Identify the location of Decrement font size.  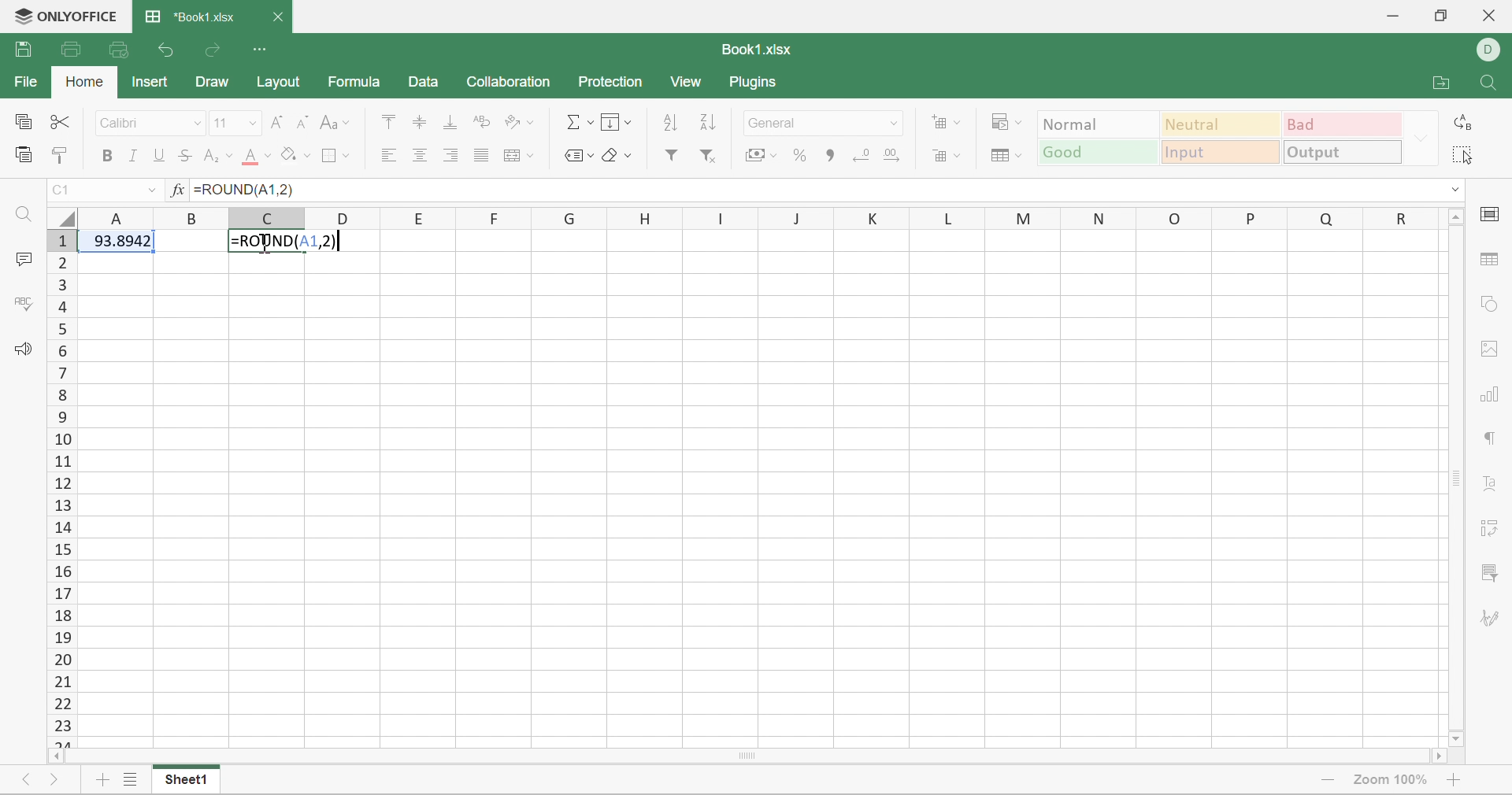
(302, 120).